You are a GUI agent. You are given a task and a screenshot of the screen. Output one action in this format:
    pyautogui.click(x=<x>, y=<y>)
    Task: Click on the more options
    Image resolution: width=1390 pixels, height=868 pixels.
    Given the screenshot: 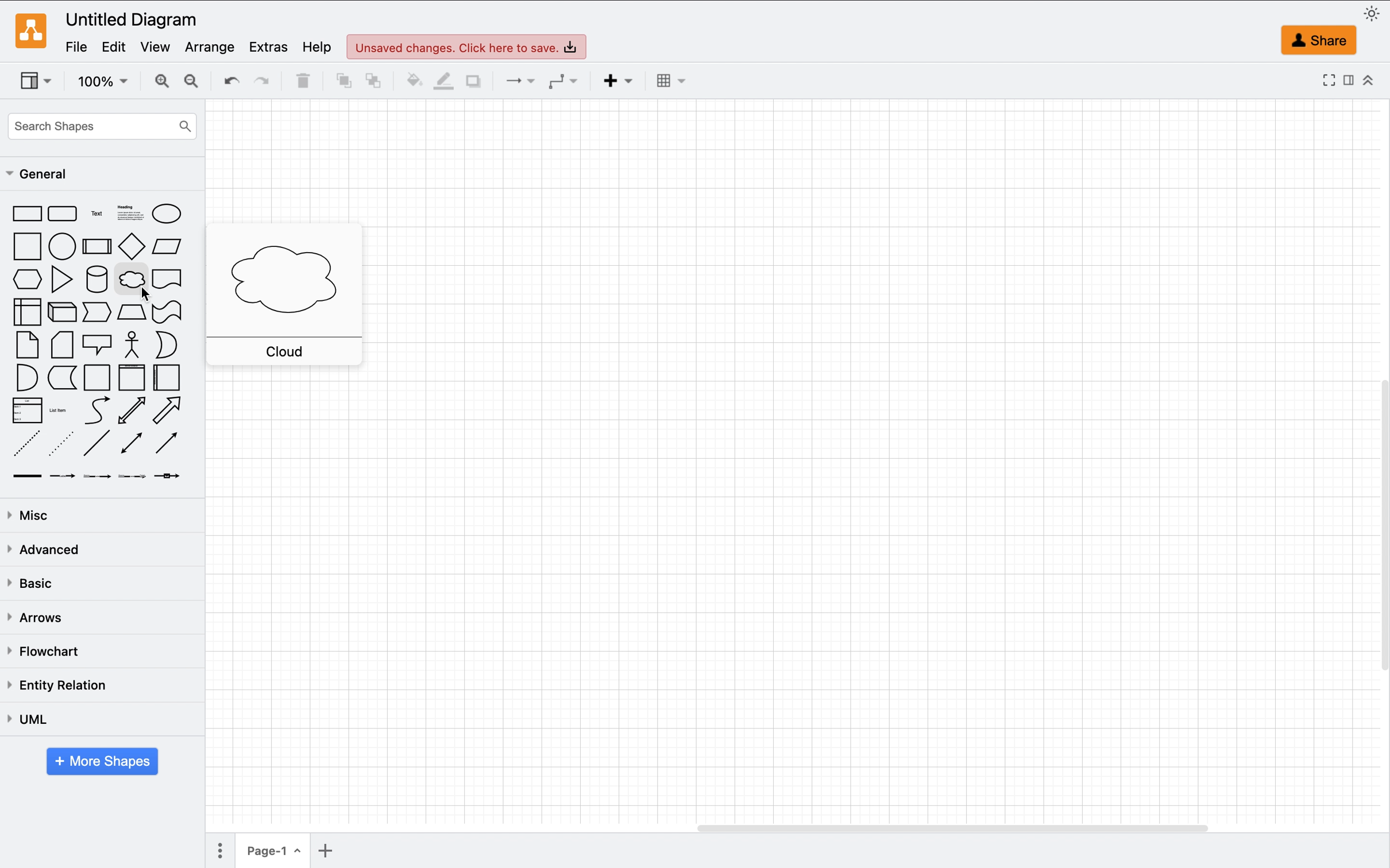 What is the action you would take?
    pyautogui.click(x=219, y=851)
    